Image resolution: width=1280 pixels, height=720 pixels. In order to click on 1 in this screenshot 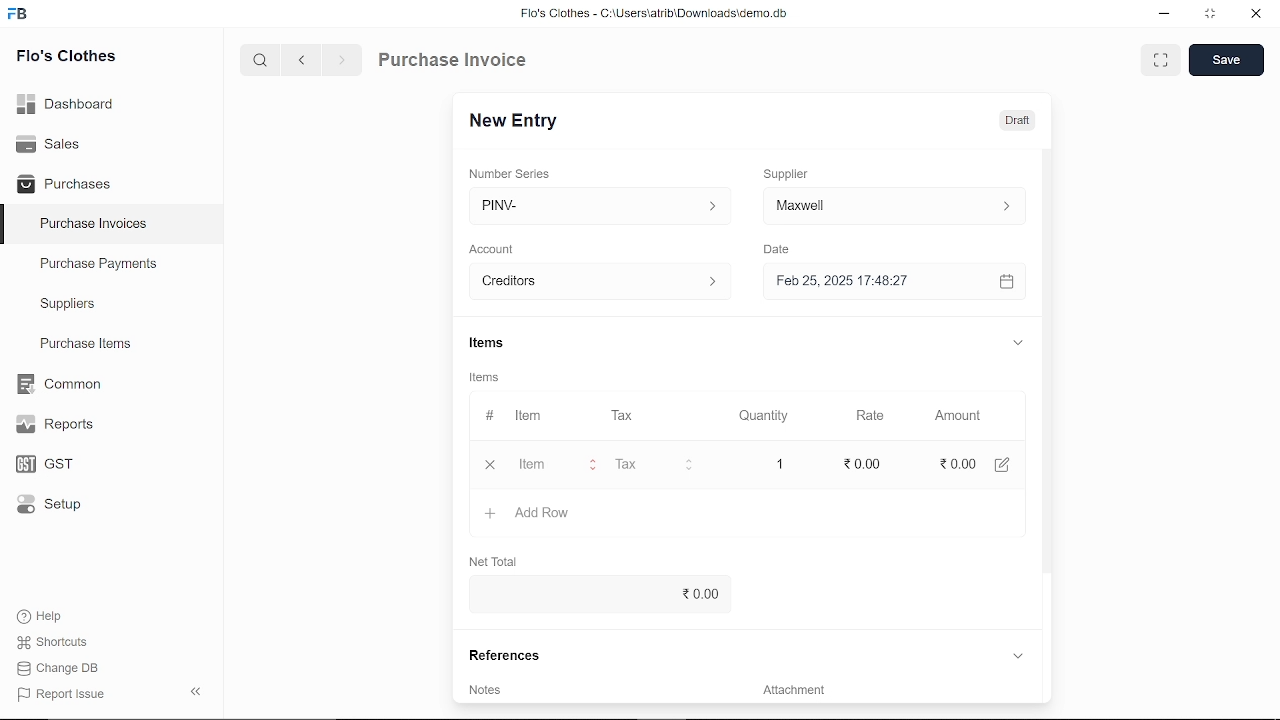, I will do `click(782, 464)`.